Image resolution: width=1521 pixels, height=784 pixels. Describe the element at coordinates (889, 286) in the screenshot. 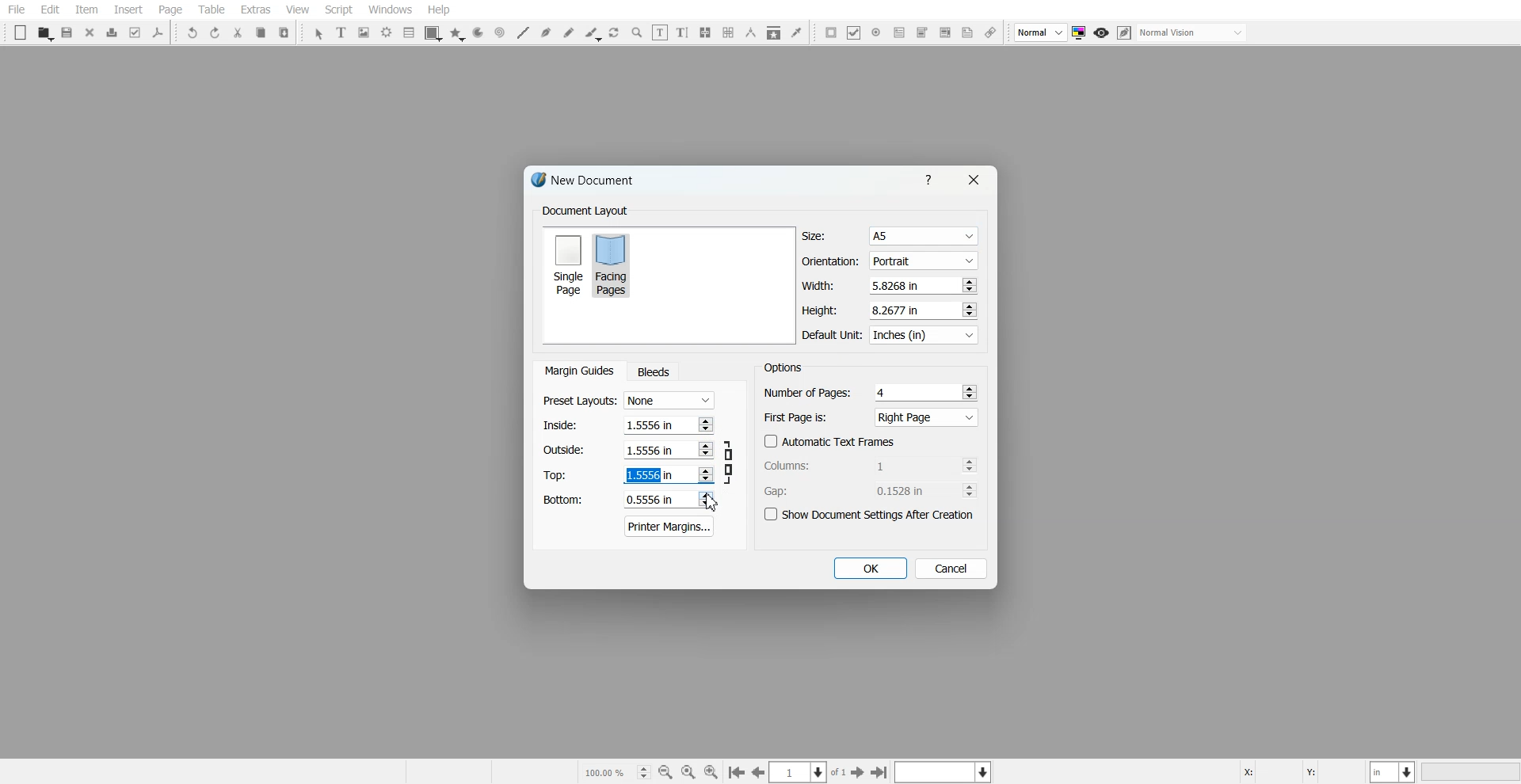

I see `Width adjuster` at that location.